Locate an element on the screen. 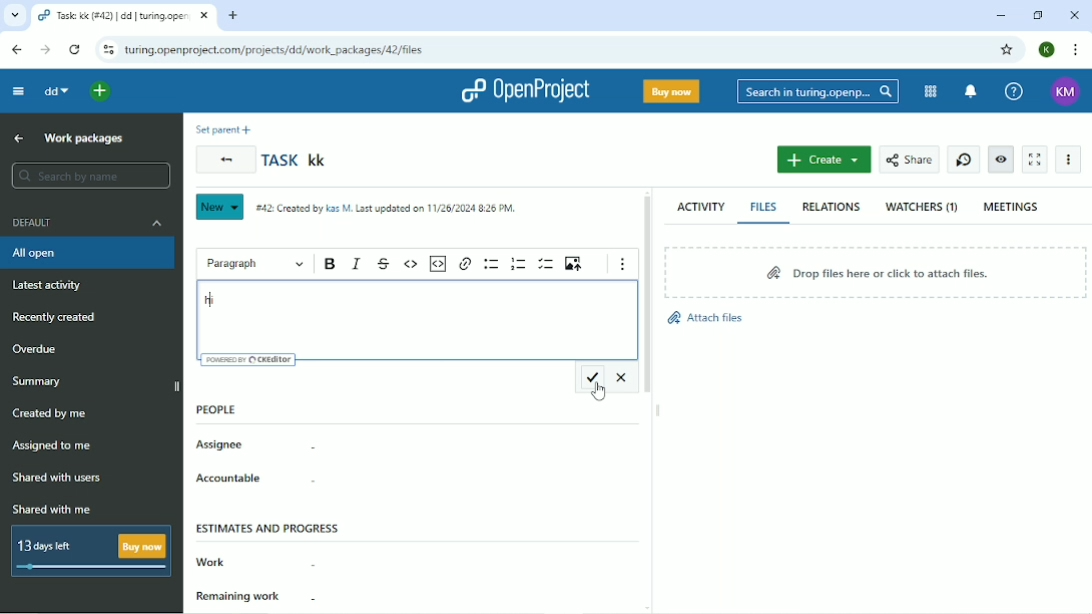 This screenshot has width=1092, height=614. #42: Created by Kas M. Last updated on 11/26/2024 8:26 PM is located at coordinates (388, 208).